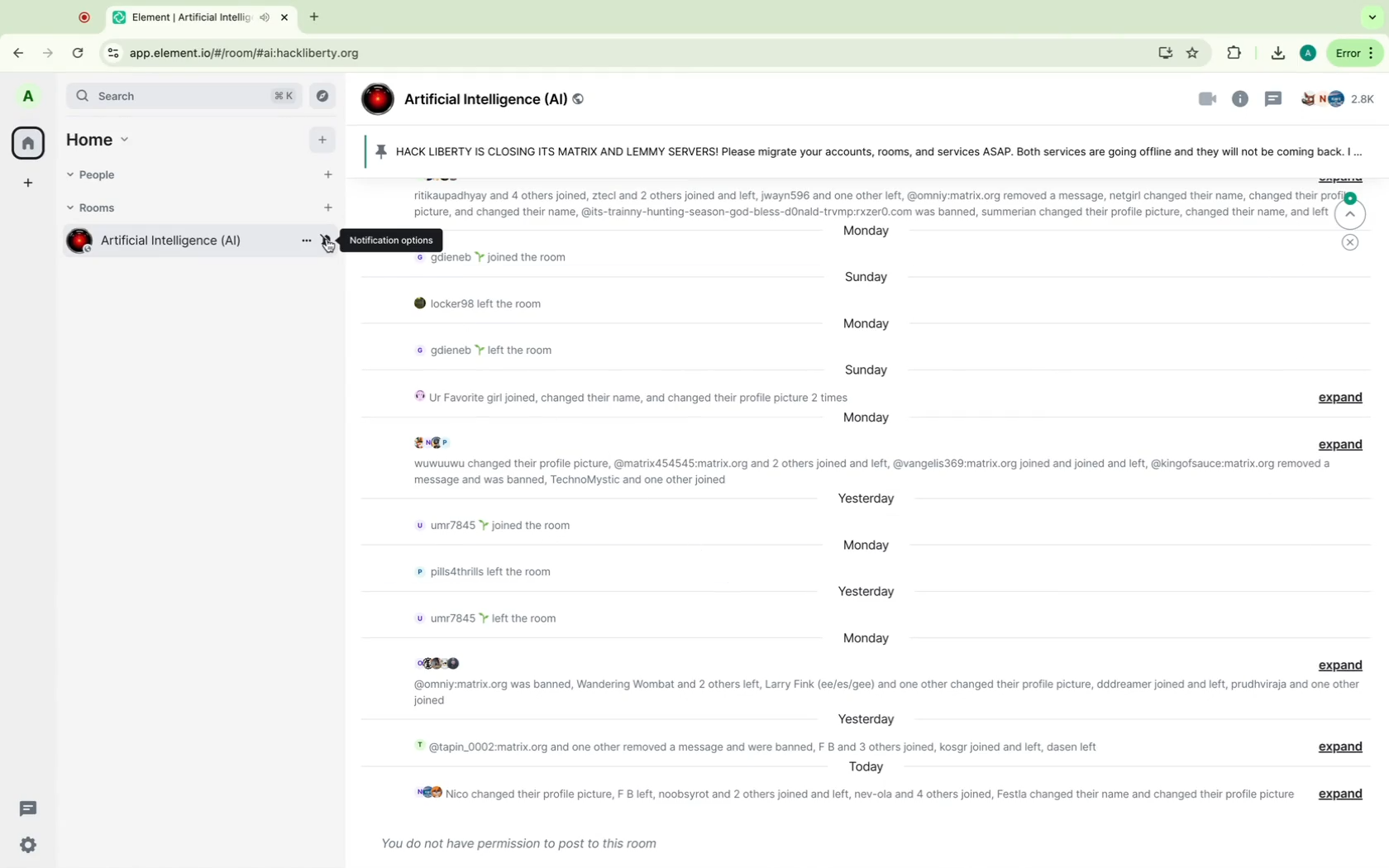 Image resolution: width=1389 pixels, height=868 pixels. I want to click on favorites, so click(1196, 50).